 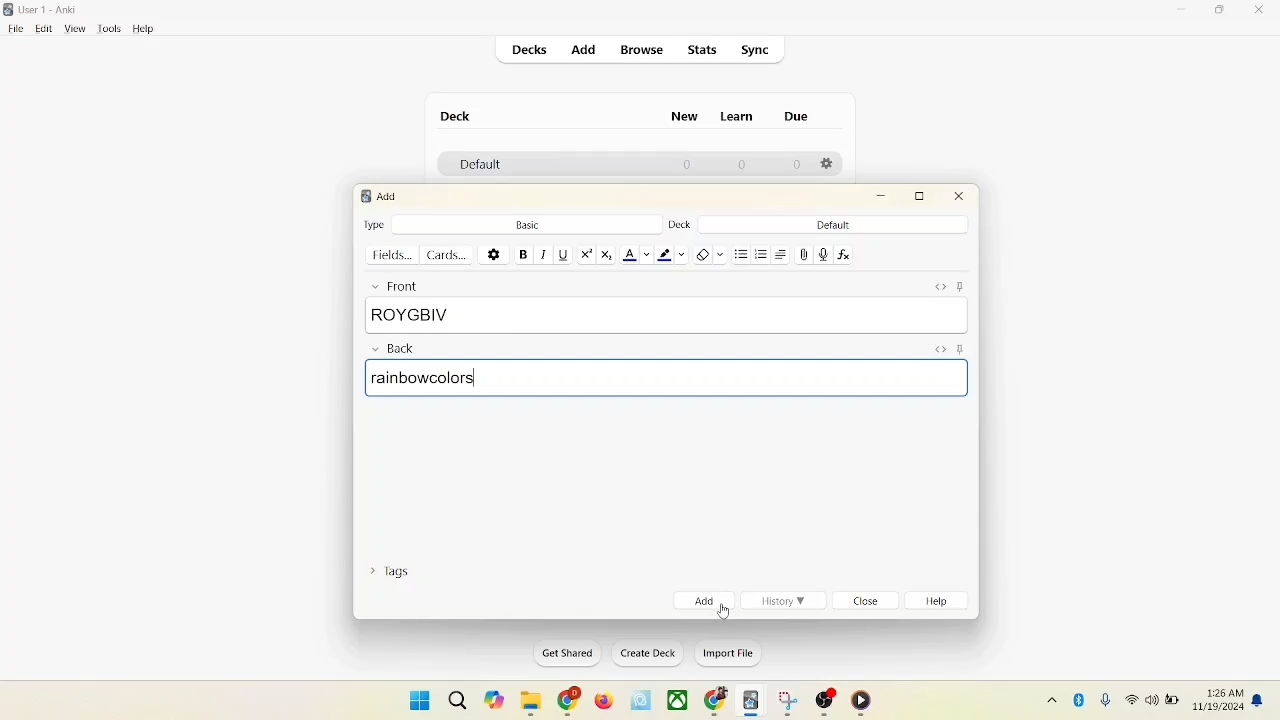 I want to click on date, so click(x=1220, y=708).